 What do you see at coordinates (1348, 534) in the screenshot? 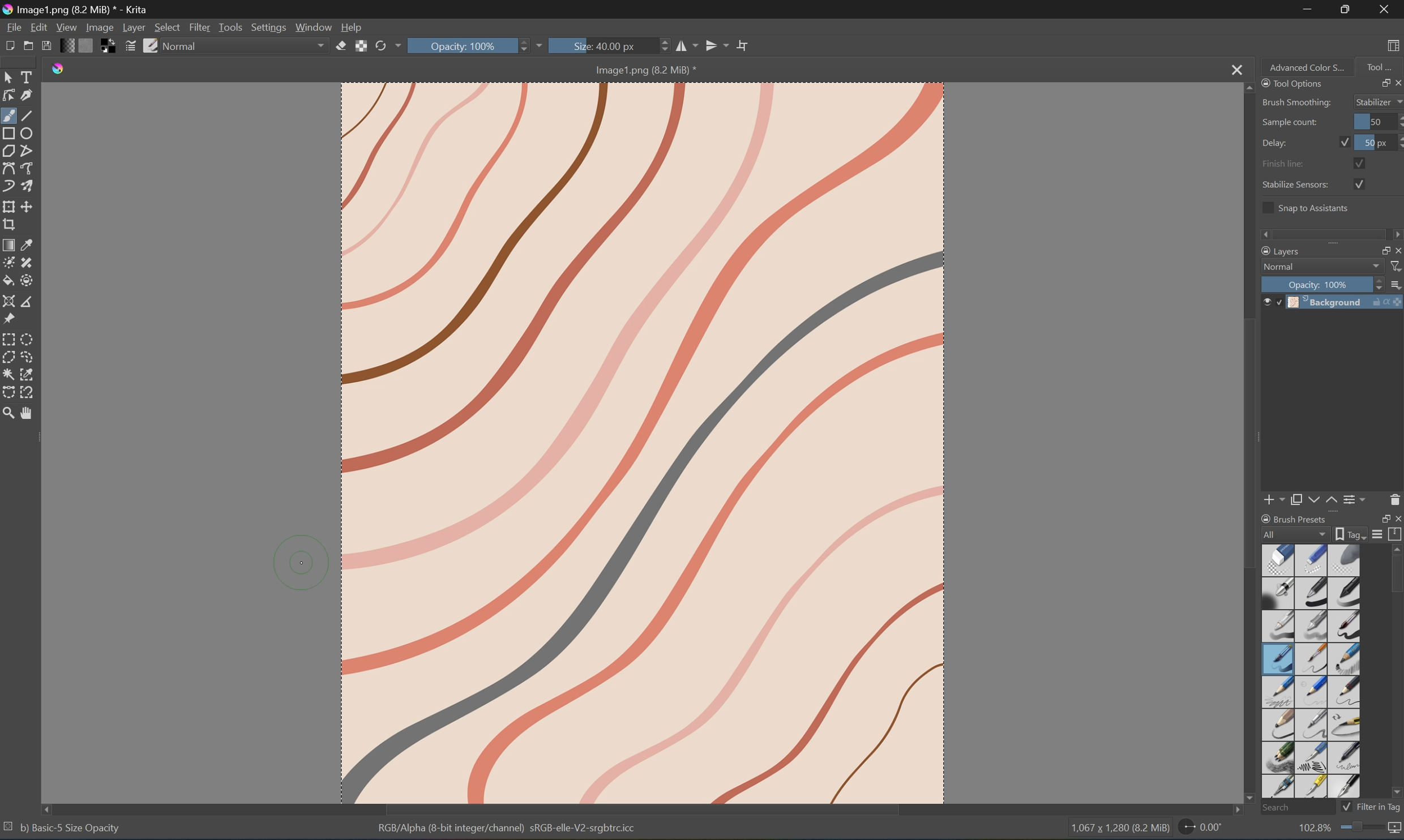
I see `Show the tag box options` at bounding box center [1348, 534].